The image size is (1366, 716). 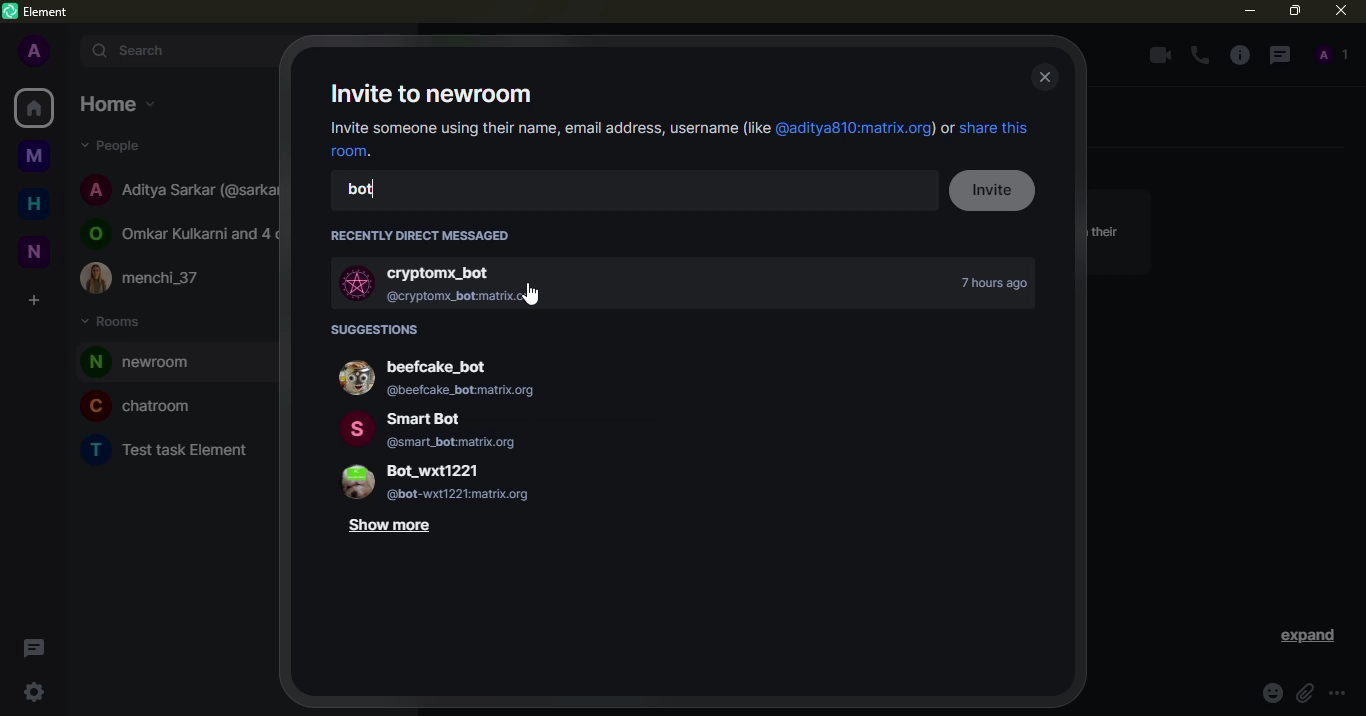 I want to click on attach, so click(x=1303, y=694).